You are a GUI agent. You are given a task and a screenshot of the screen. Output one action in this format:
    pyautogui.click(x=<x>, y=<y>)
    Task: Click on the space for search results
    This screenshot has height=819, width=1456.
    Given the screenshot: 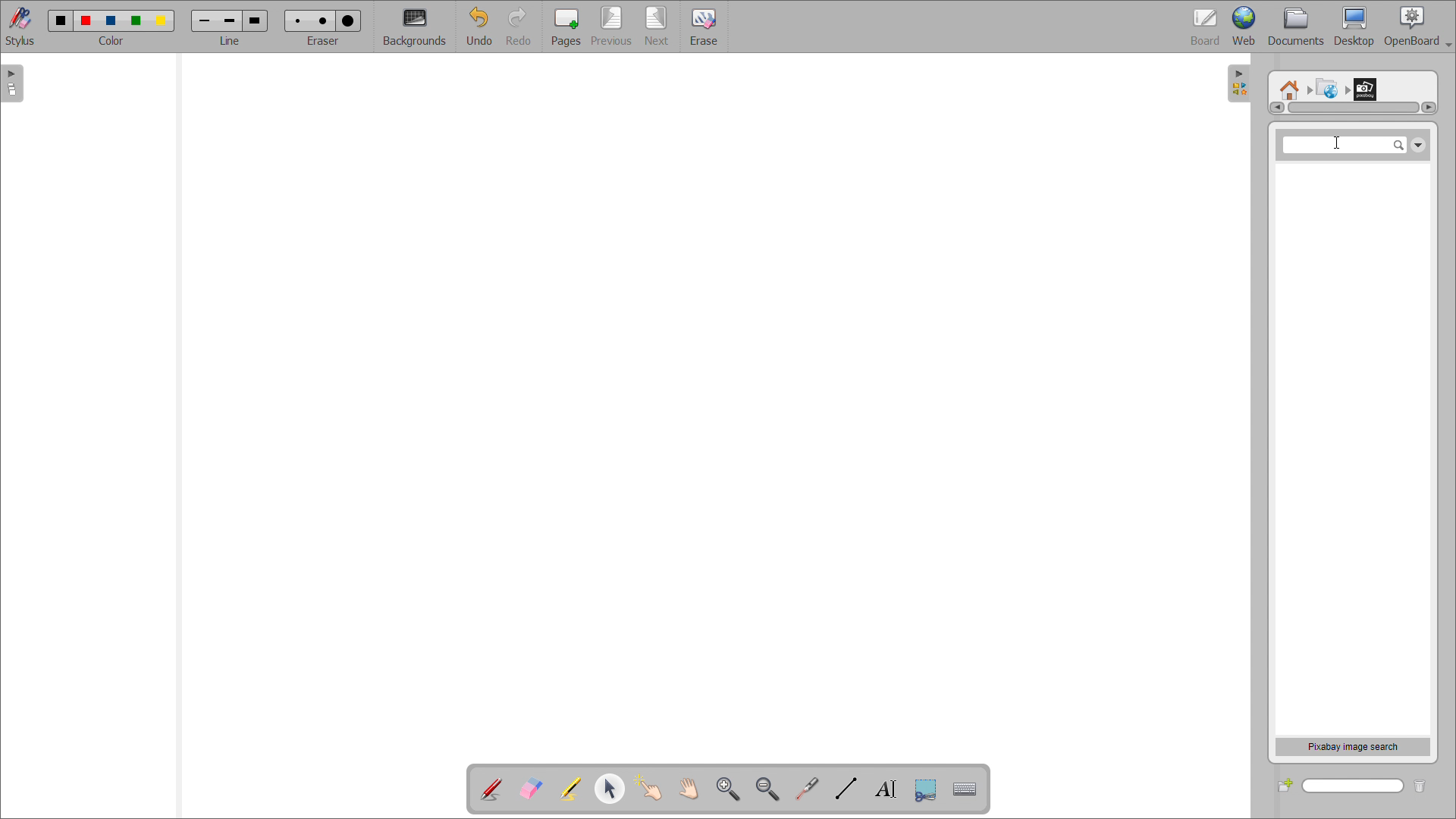 What is the action you would take?
    pyautogui.click(x=1351, y=449)
    